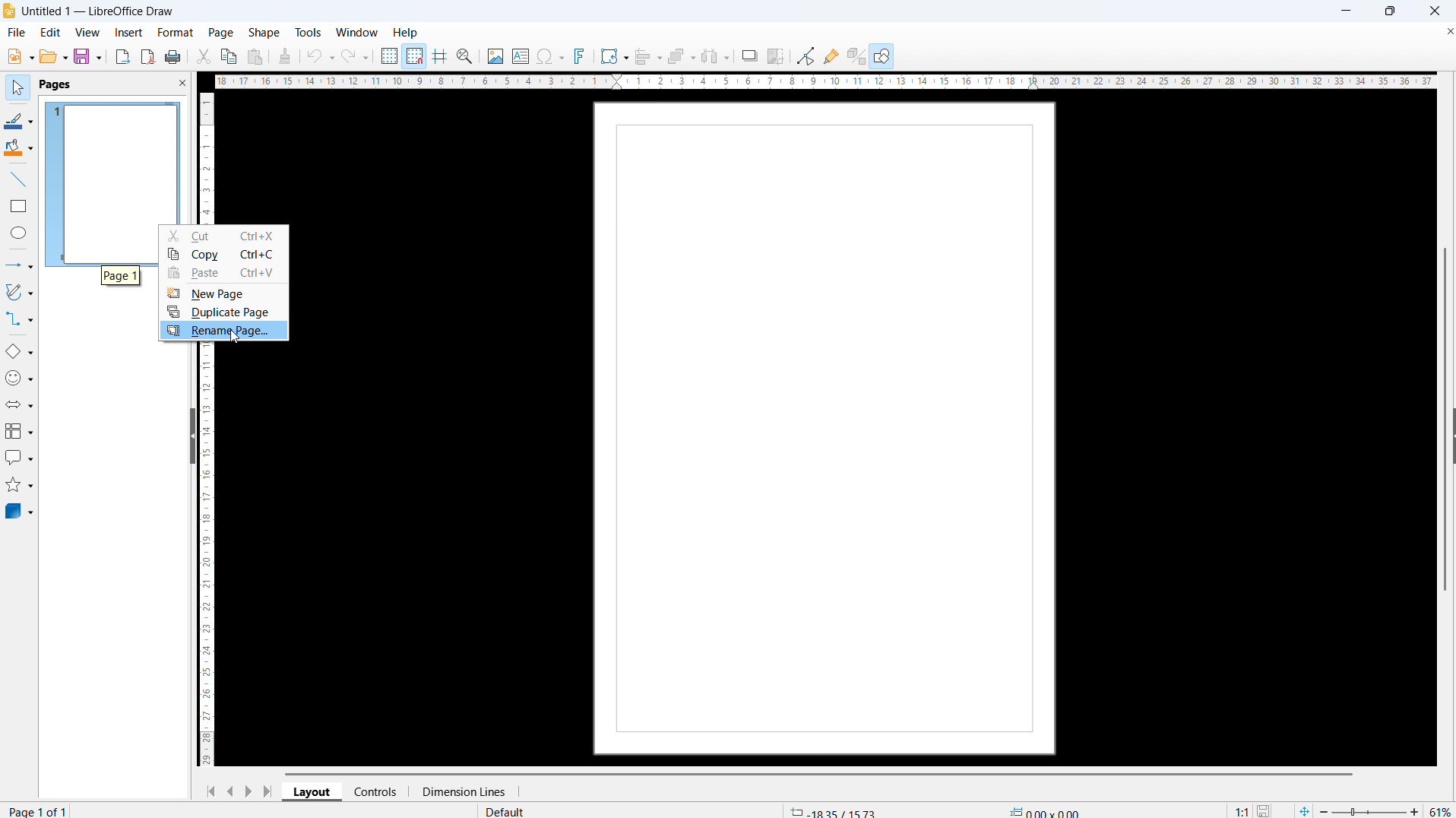 This screenshot has height=818, width=1456. What do you see at coordinates (356, 55) in the screenshot?
I see `redo ` at bounding box center [356, 55].